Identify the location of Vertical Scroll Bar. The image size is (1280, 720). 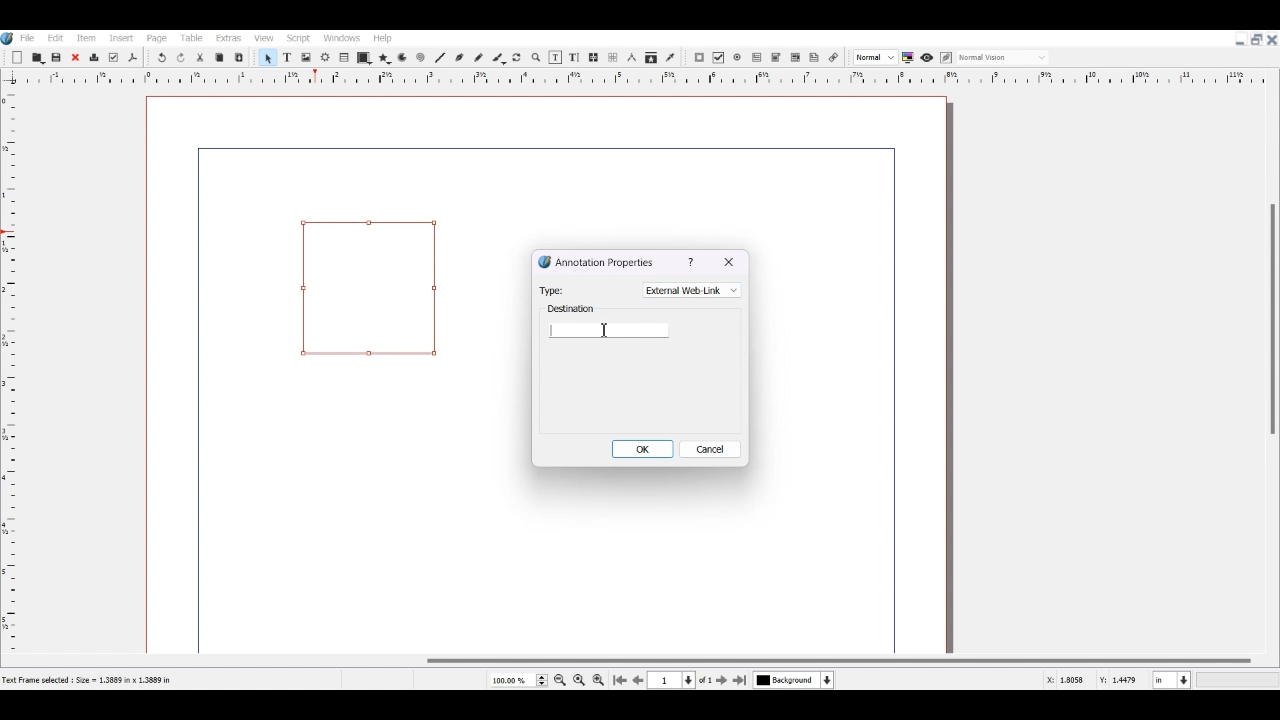
(1271, 360).